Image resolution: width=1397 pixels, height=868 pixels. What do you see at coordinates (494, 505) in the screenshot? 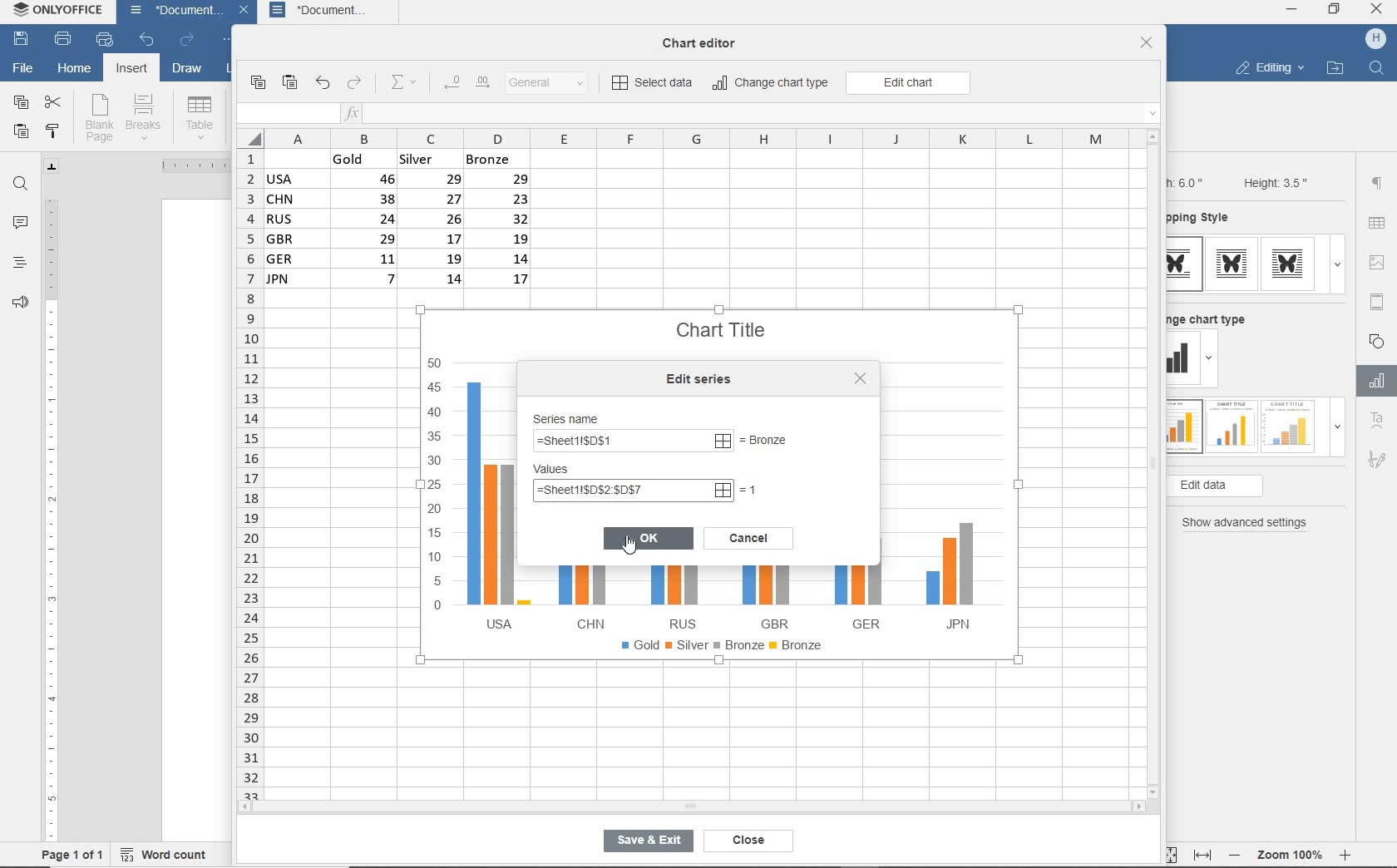
I see `USA` at bounding box center [494, 505].